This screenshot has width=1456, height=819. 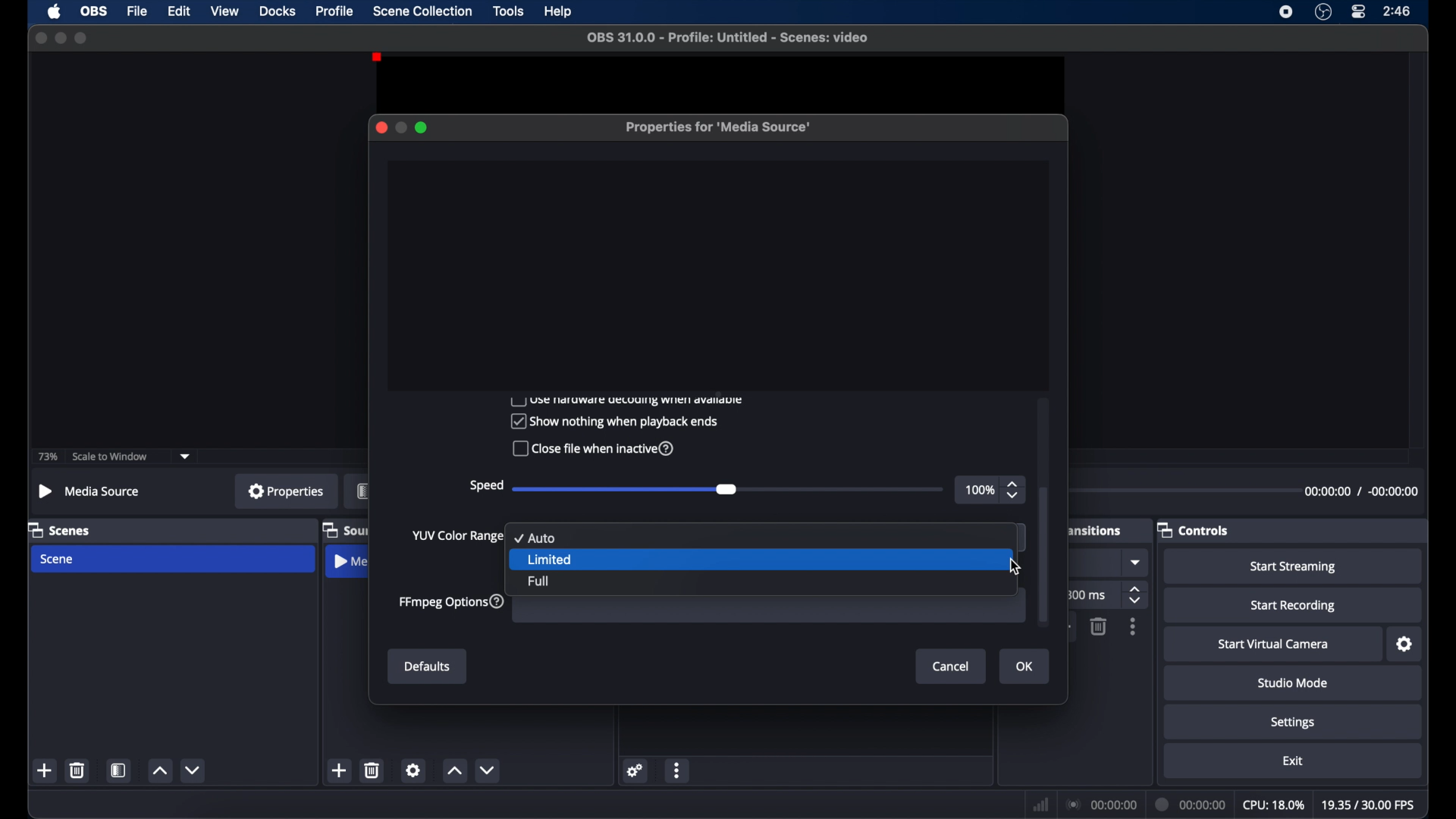 What do you see at coordinates (400, 127) in the screenshot?
I see `minimize` at bounding box center [400, 127].